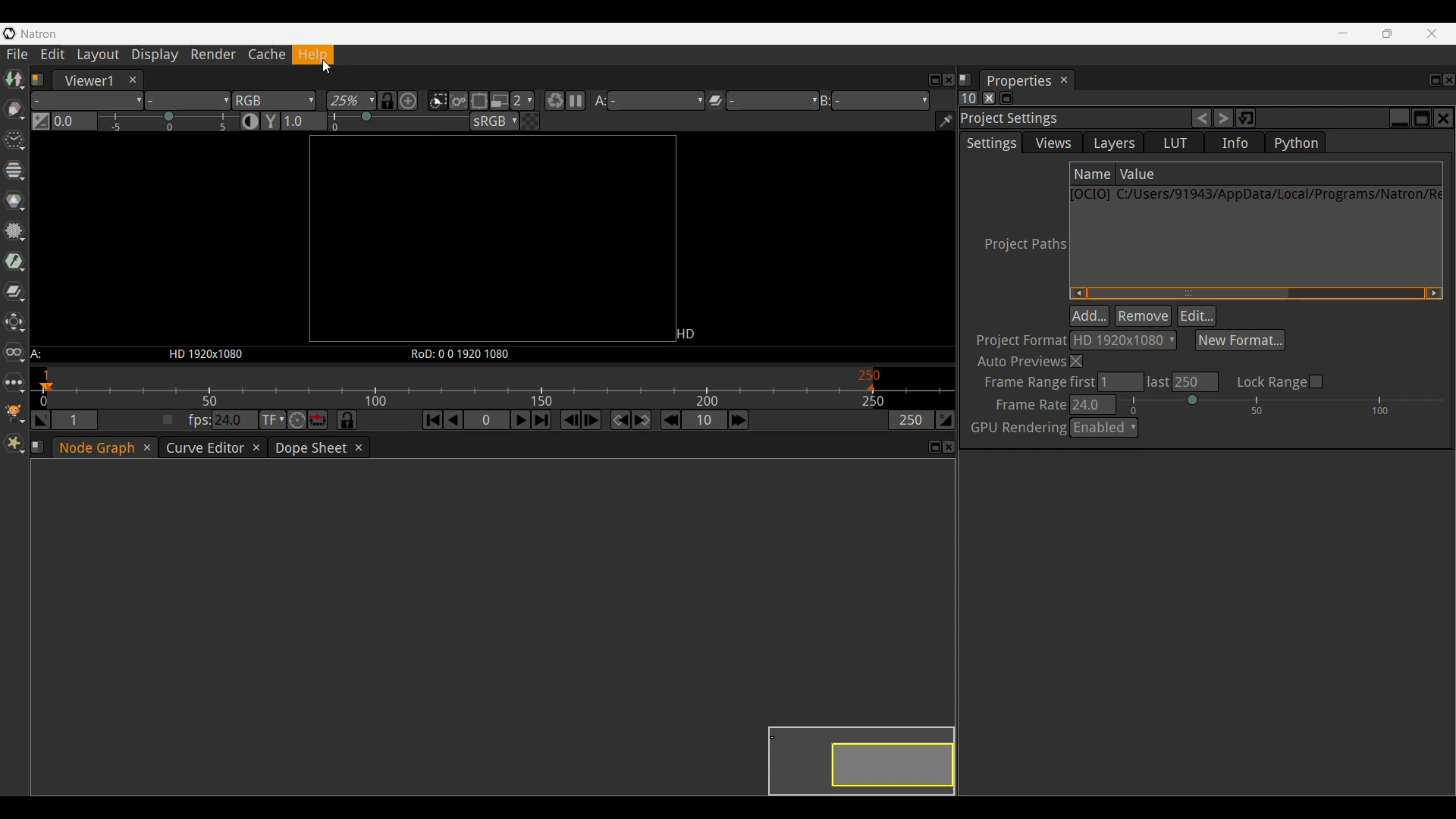  Describe the element at coordinates (203, 447) in the screenshot. I see `Curve editor tab` at that location.